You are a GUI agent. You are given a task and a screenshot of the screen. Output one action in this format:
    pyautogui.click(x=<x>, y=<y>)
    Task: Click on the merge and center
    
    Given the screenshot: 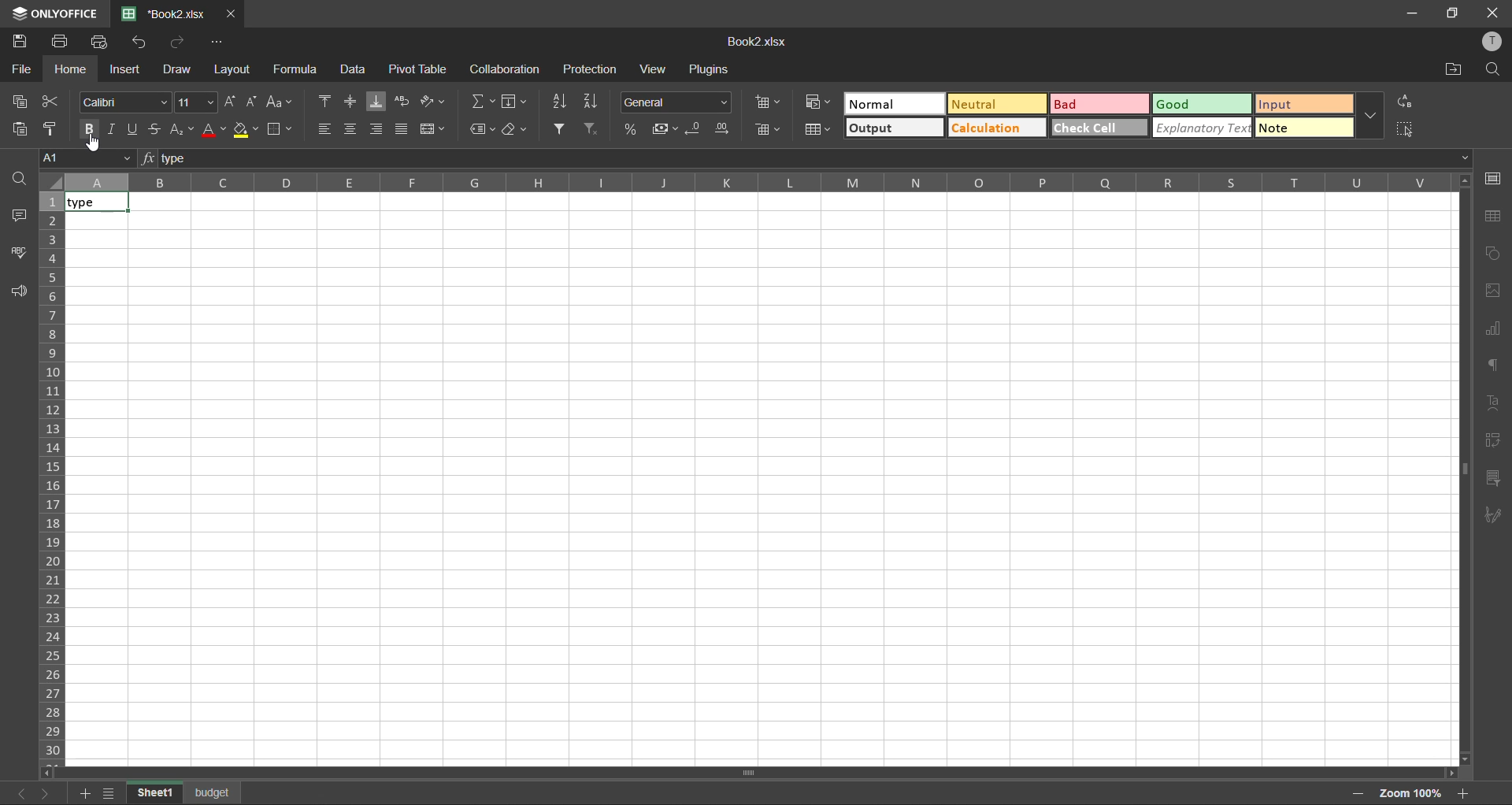 What is the action you would take?
    pyautogui.click(x=435, y=128)
    